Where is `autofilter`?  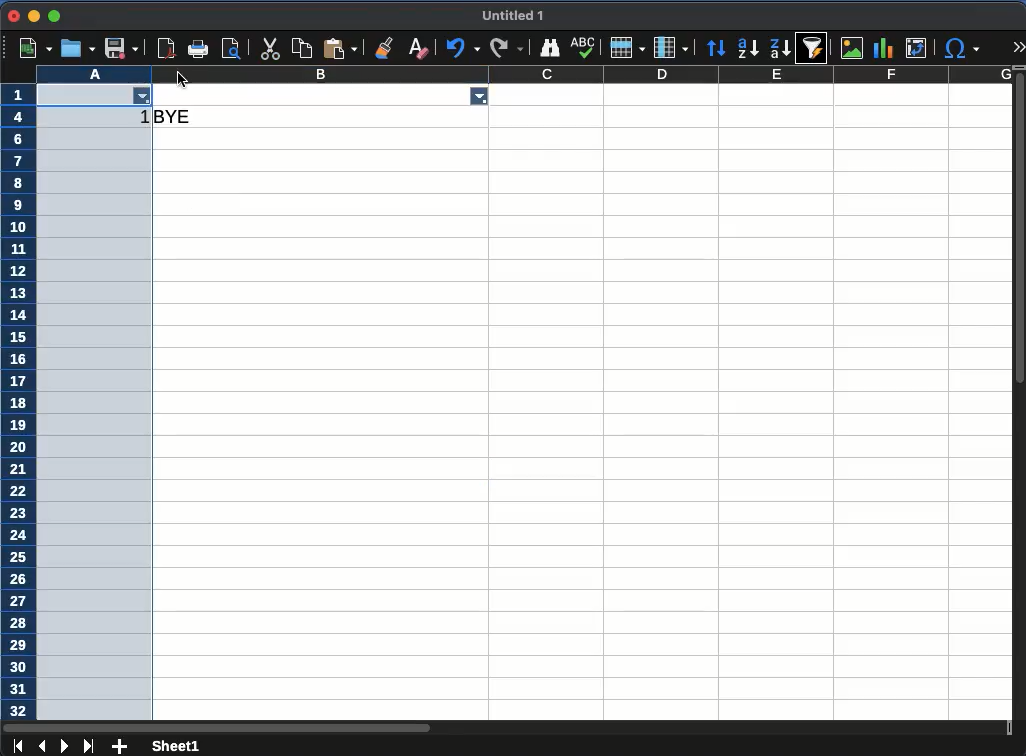
autofilter is located at coordinates (814, 47).